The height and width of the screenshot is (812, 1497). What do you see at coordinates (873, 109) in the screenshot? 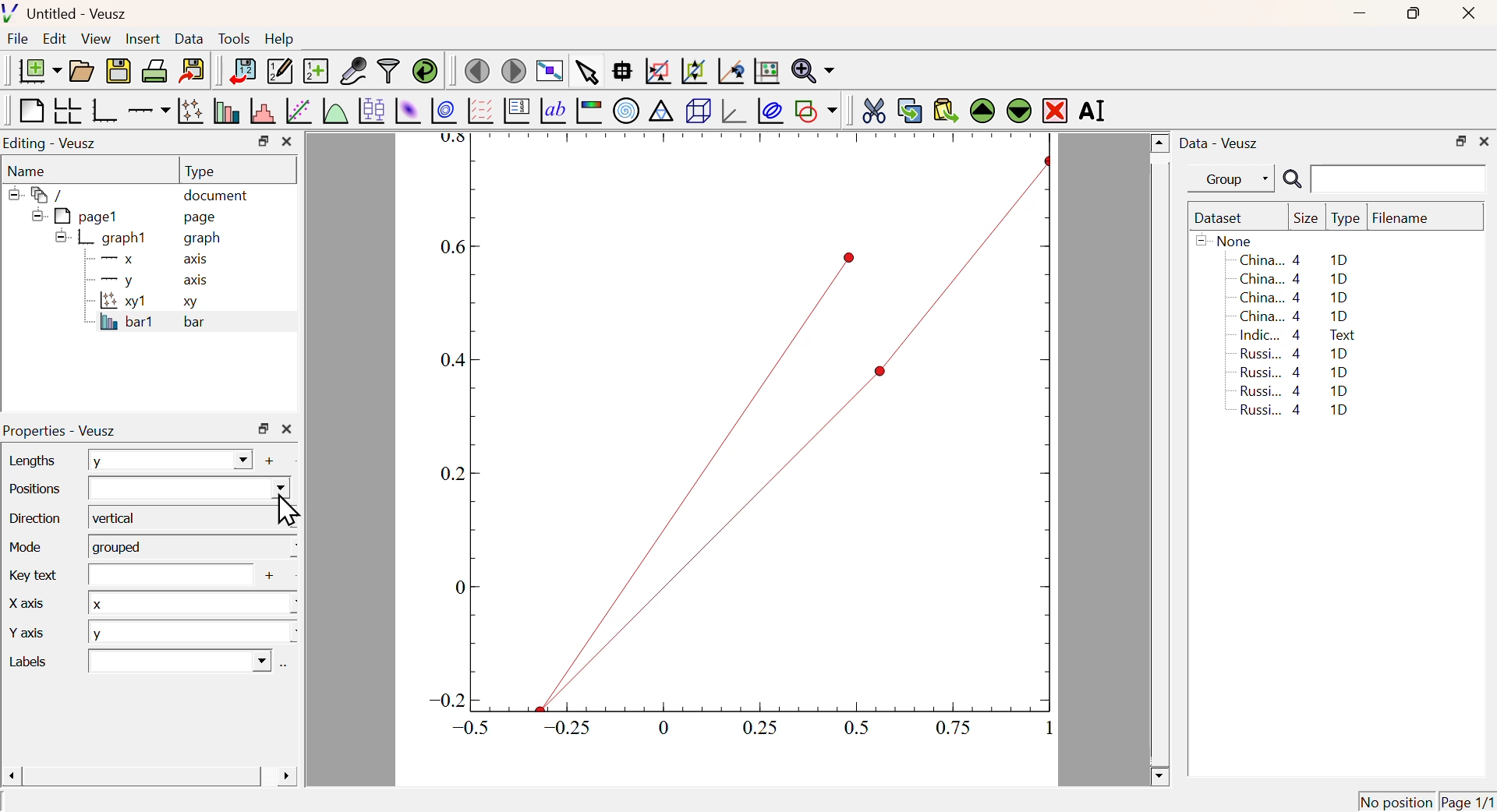
I see `Cut` at bounding box center [873, 109].